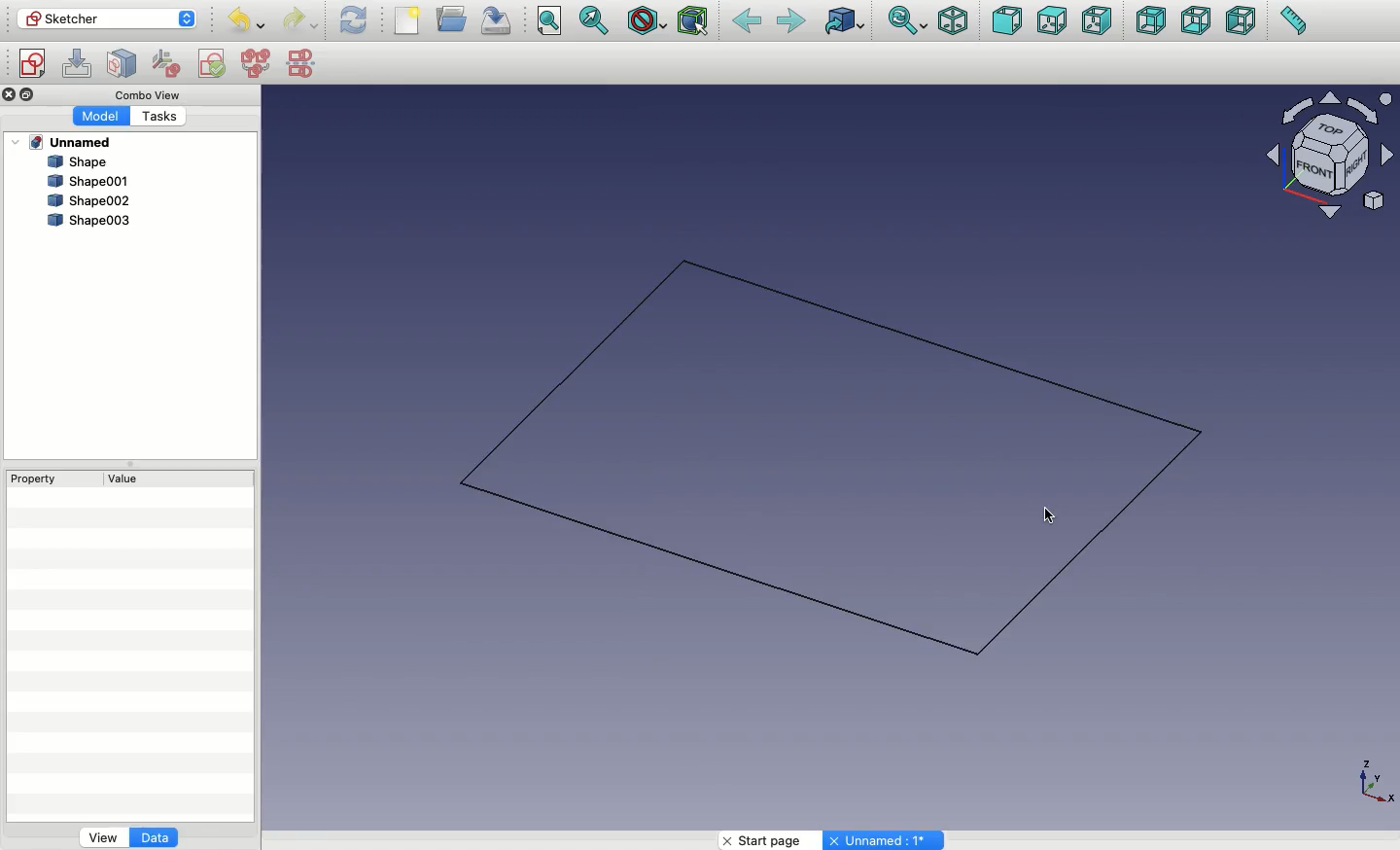 The height and width of the screenshot is (850, 1400). Describe the element at coordinates (32, 64) in the screenshot. I see `Create sketch` at that location.